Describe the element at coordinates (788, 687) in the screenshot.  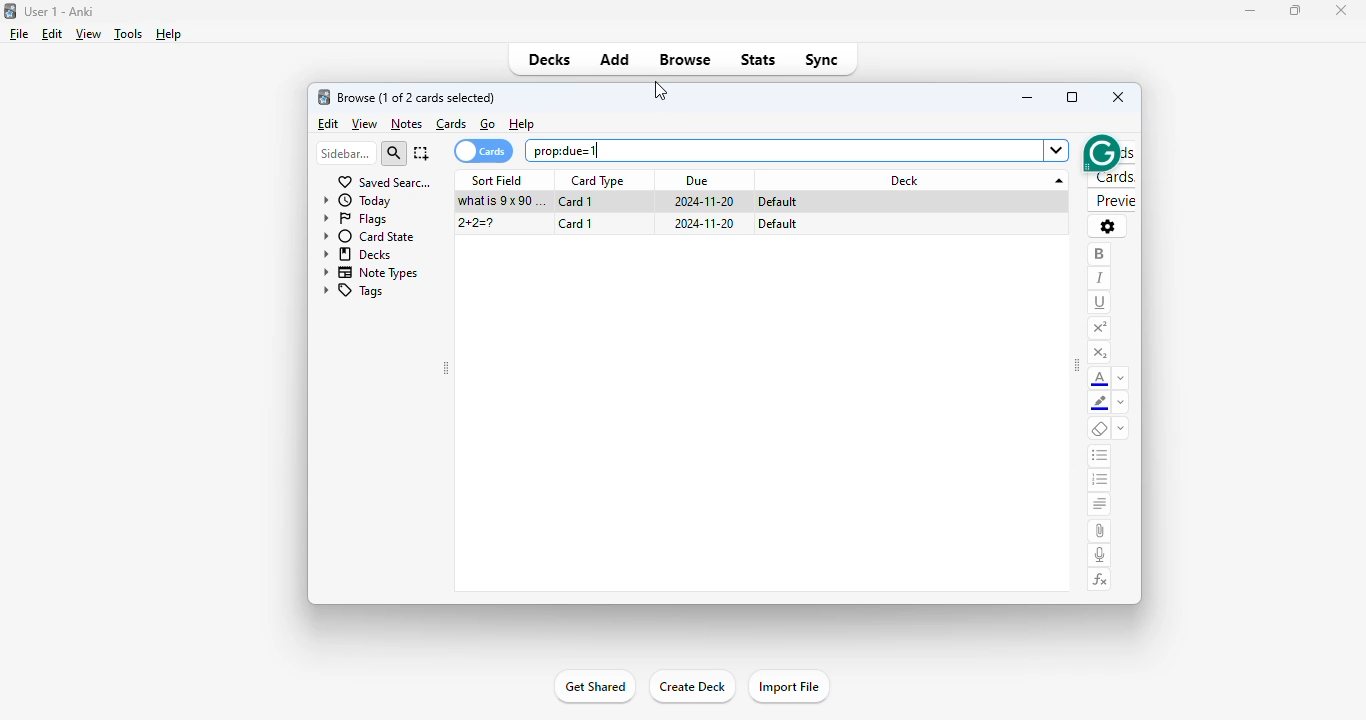
I see `import file` at that location.